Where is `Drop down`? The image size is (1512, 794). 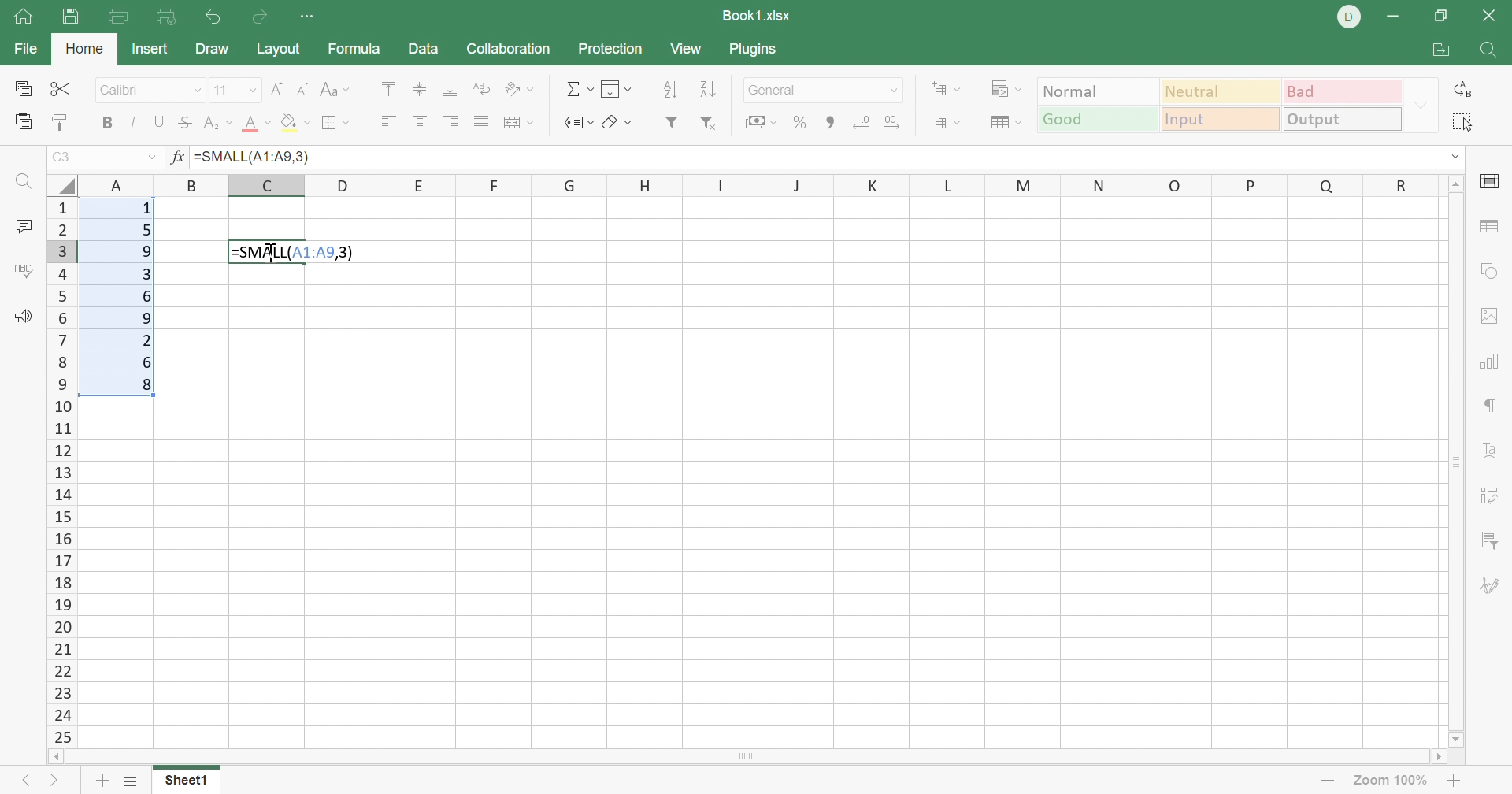
Drop down is located at coordinates (1421, 109).